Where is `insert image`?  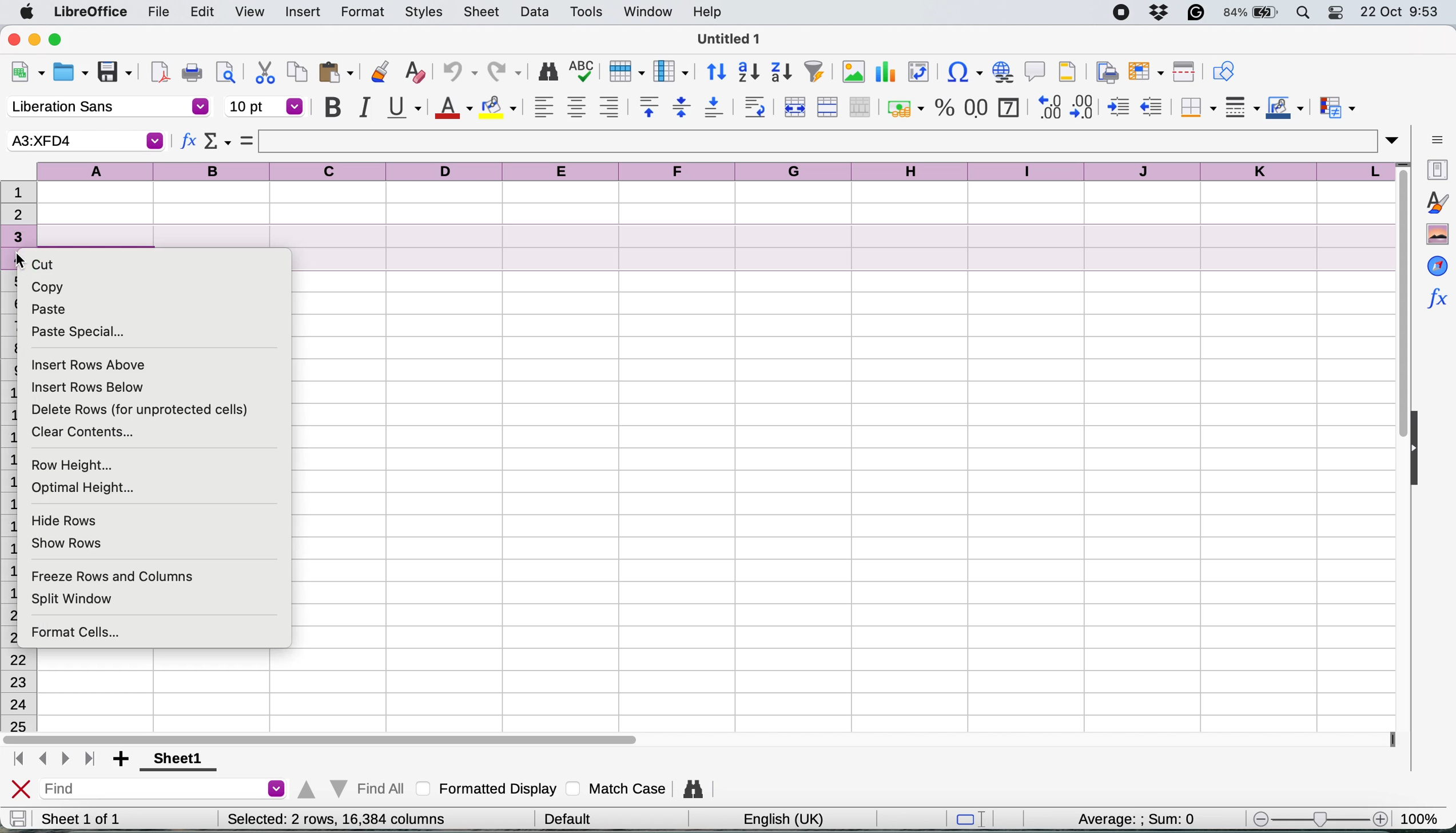
insert image is located at coordinates (853, 72).